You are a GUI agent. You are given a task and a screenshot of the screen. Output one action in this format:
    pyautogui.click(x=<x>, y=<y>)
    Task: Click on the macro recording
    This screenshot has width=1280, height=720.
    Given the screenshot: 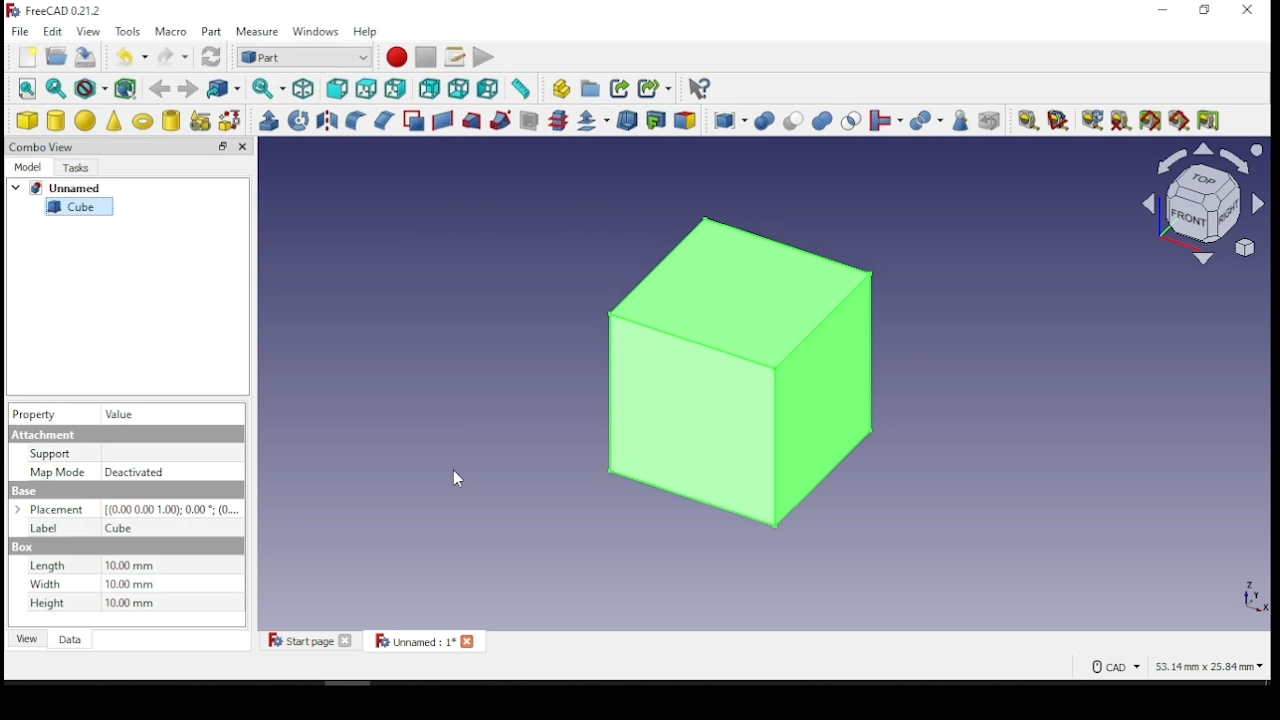 What is the action you would take?
    pyautogui.click(x=397, y=57)
    